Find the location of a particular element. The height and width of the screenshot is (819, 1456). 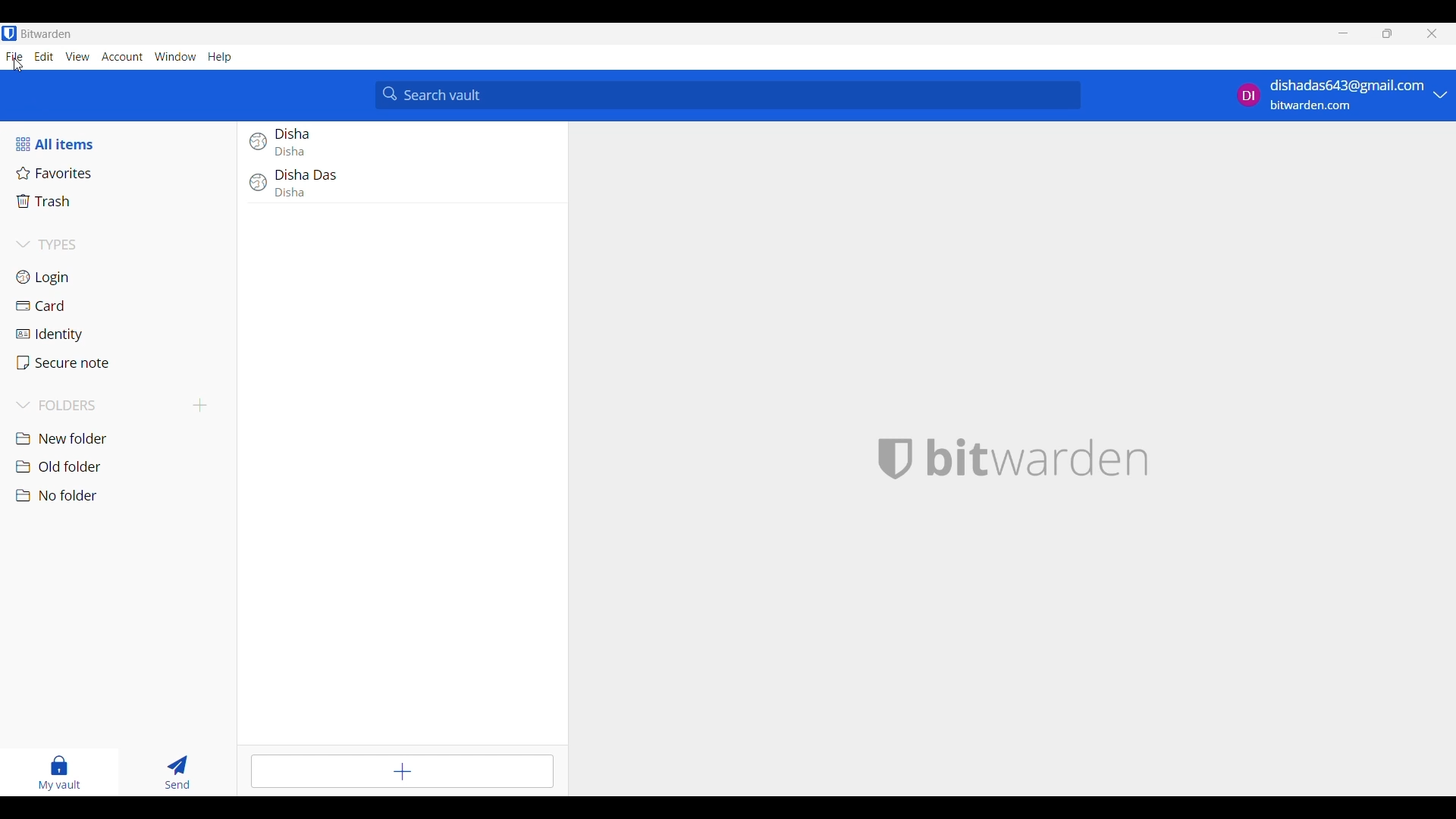

bitwarden logo is located at coordinates (891, 460).